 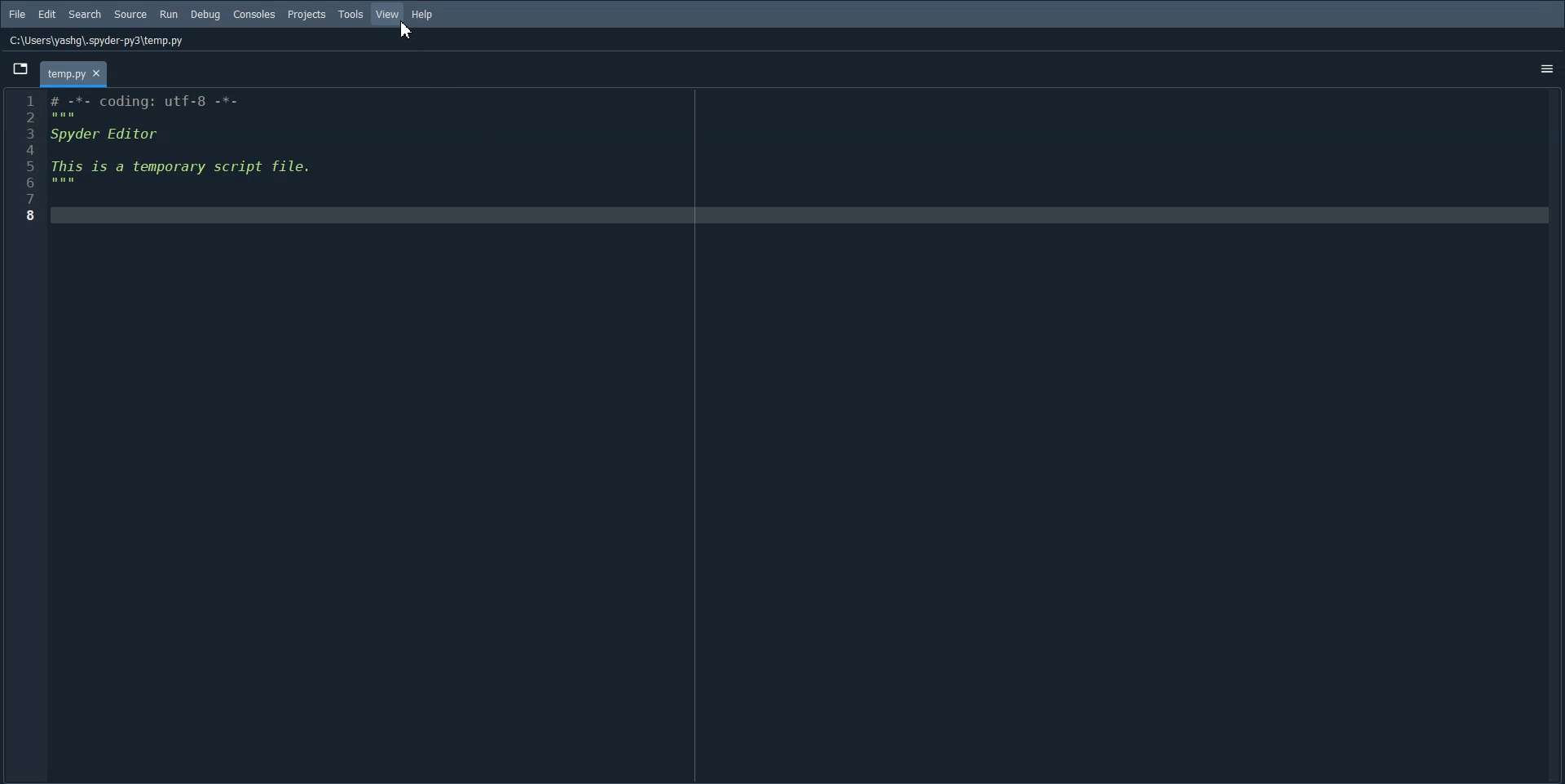 I want to click on cursor, so click(x=406, y=33).